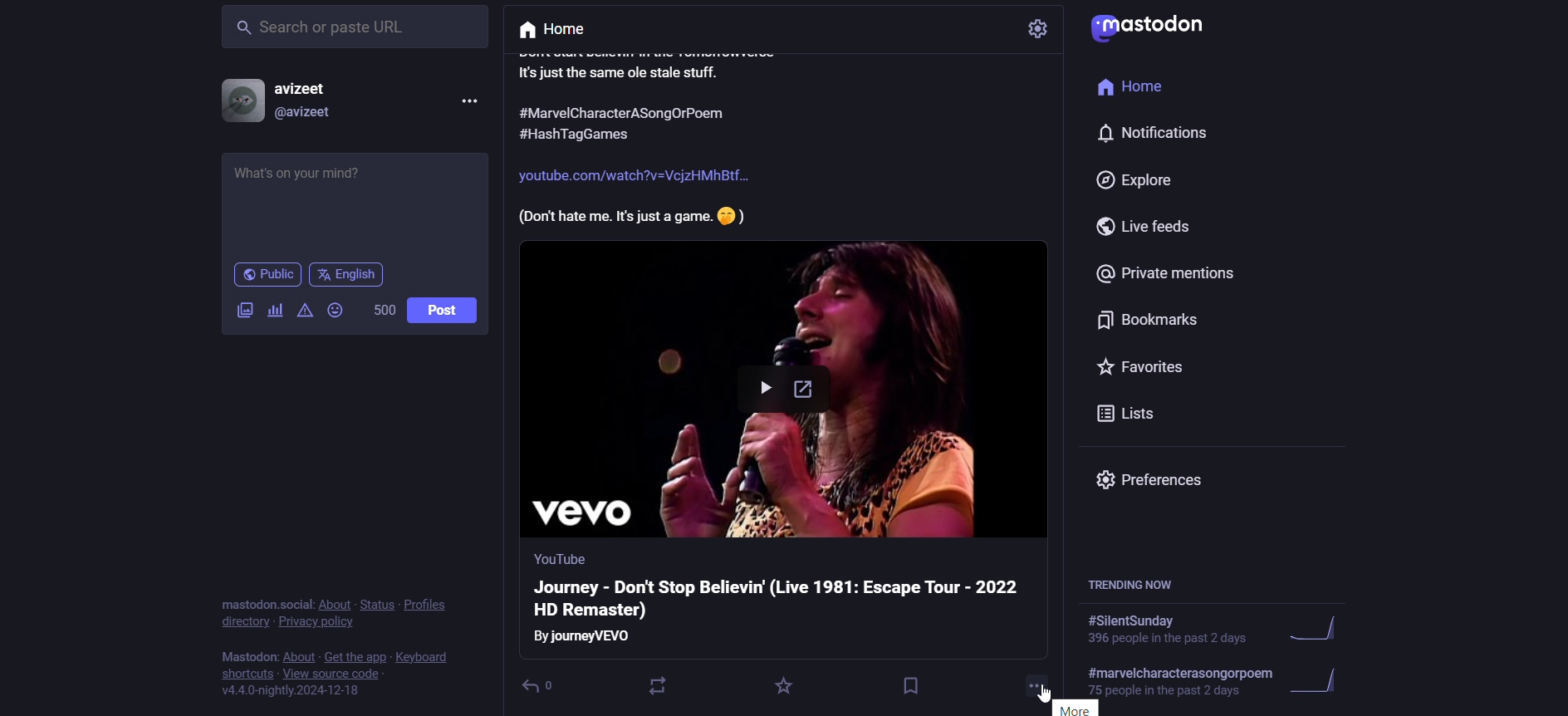 Image resolution: width=1568 pixels, height=716 pixels. Describe the element at coordinates (782, 686) in the screenshot. I see `favorites` at that location.